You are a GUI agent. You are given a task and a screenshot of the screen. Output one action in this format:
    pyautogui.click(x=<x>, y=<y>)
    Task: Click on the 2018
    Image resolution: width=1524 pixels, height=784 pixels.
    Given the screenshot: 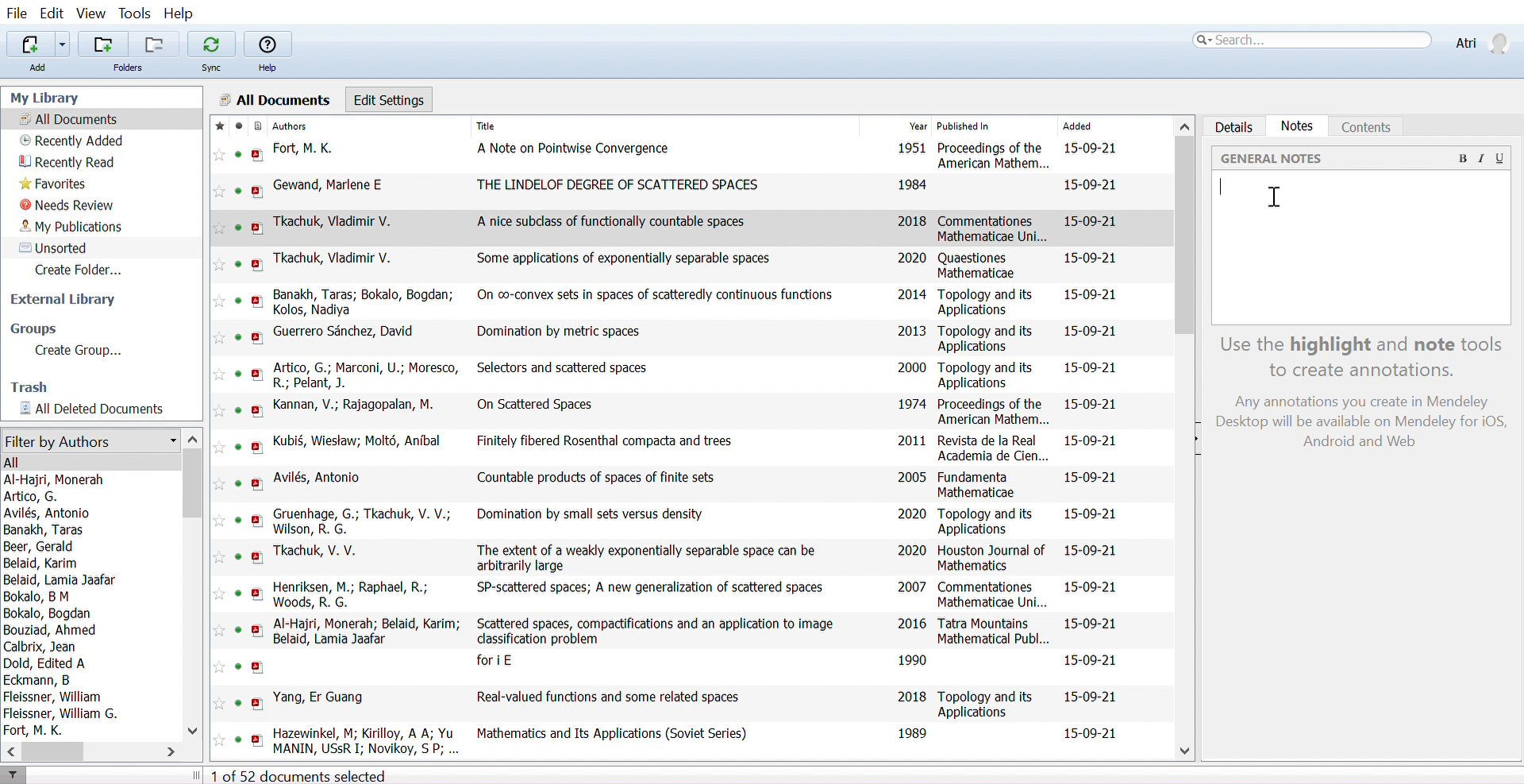 What is the action you would take?
    pyautogui.click(x=913, y=221)
    